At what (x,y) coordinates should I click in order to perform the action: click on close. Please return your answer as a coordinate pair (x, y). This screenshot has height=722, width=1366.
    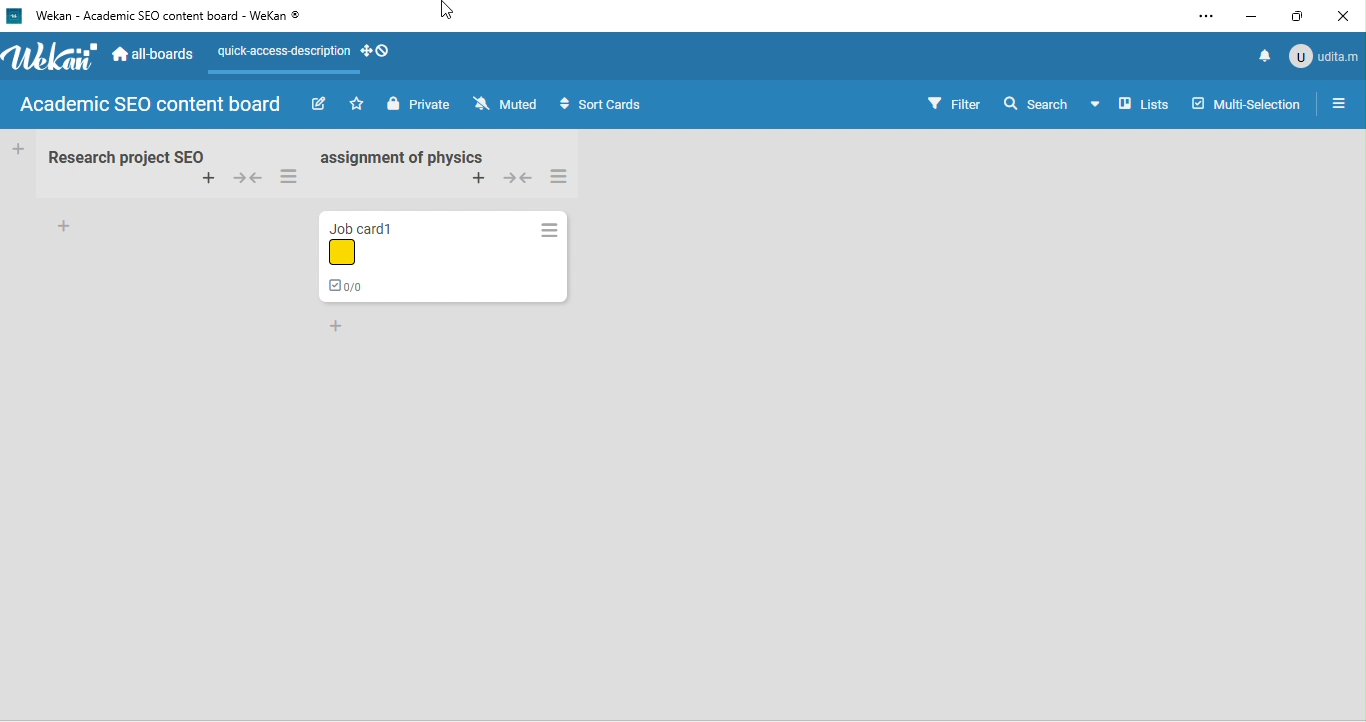
    Looking at the image, I should click on (1351, 15).